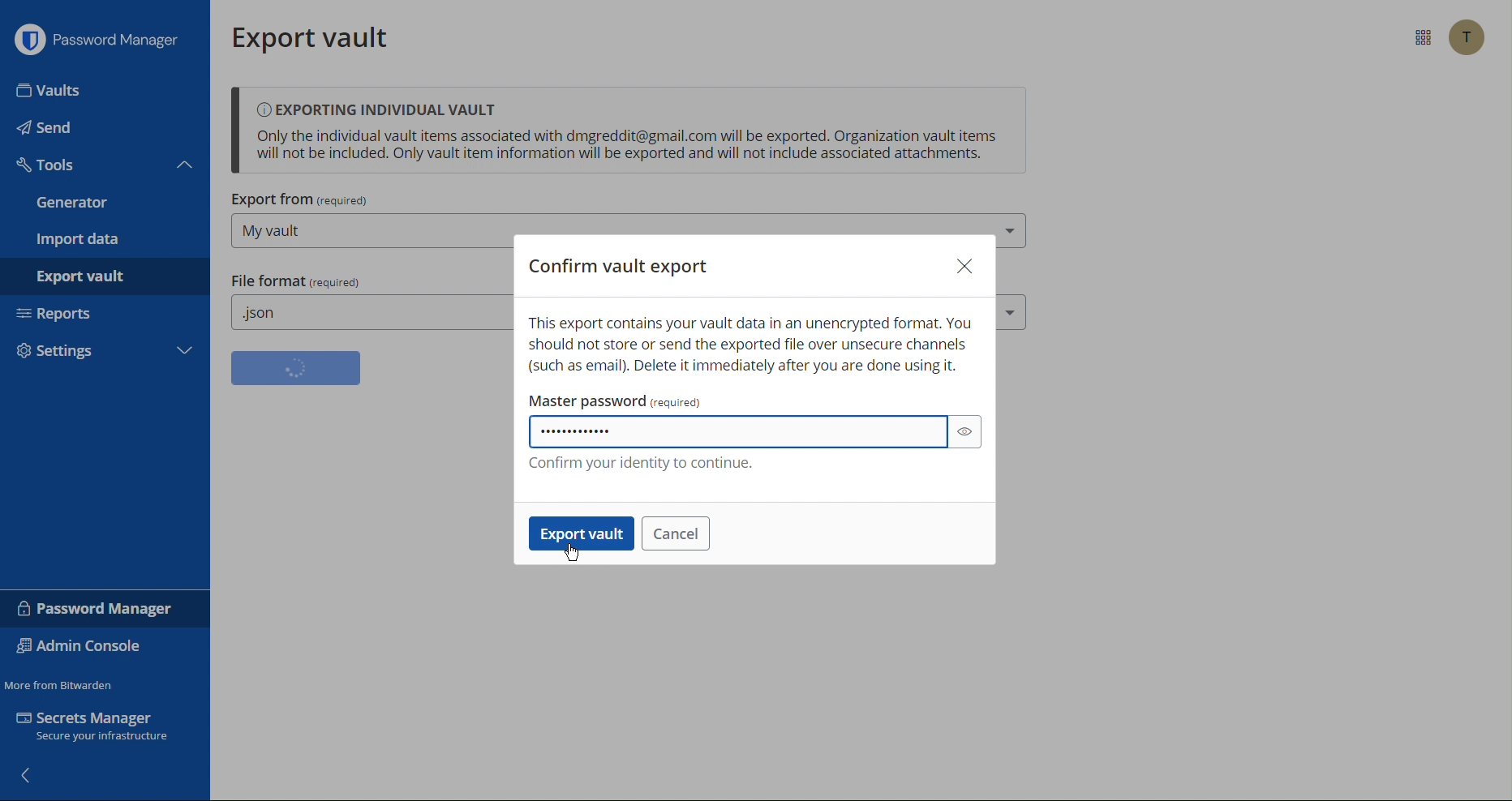  Describe the element at coordinates (675, 533) in the screenshot. I see `Cancel` at that location.